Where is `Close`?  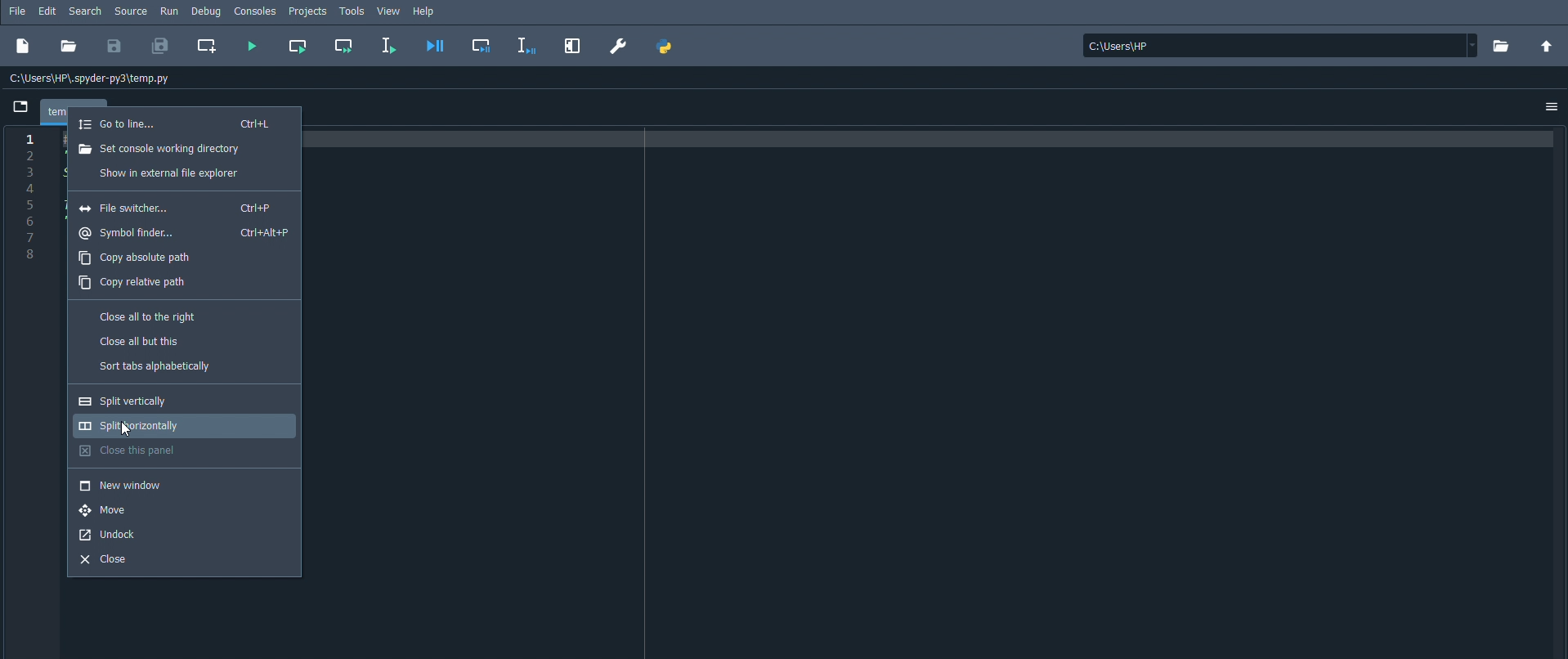
Close is located at coordinates (111, 560).